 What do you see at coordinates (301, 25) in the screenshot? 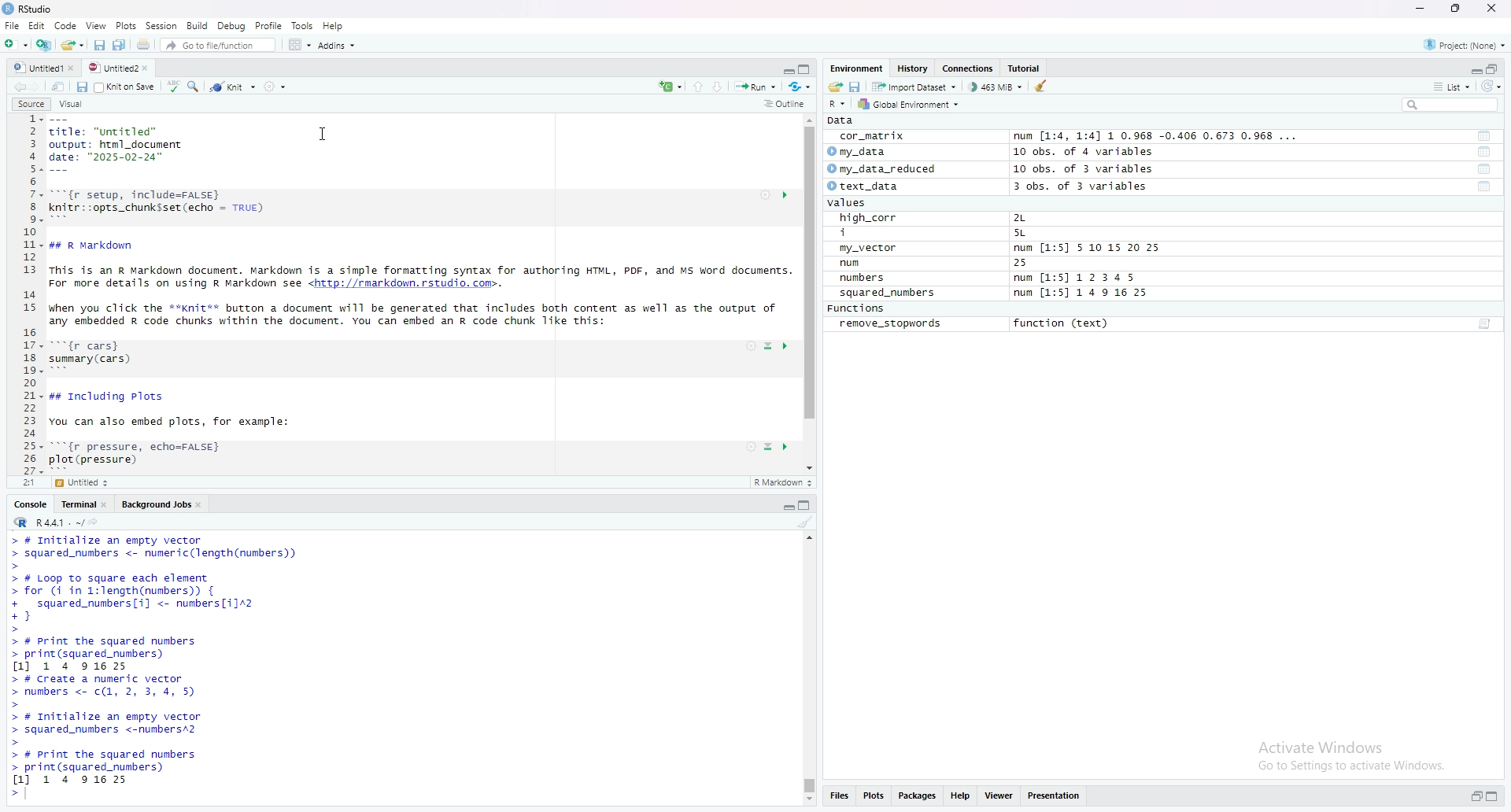
I see `Tools` at bounding box center [301, 25].